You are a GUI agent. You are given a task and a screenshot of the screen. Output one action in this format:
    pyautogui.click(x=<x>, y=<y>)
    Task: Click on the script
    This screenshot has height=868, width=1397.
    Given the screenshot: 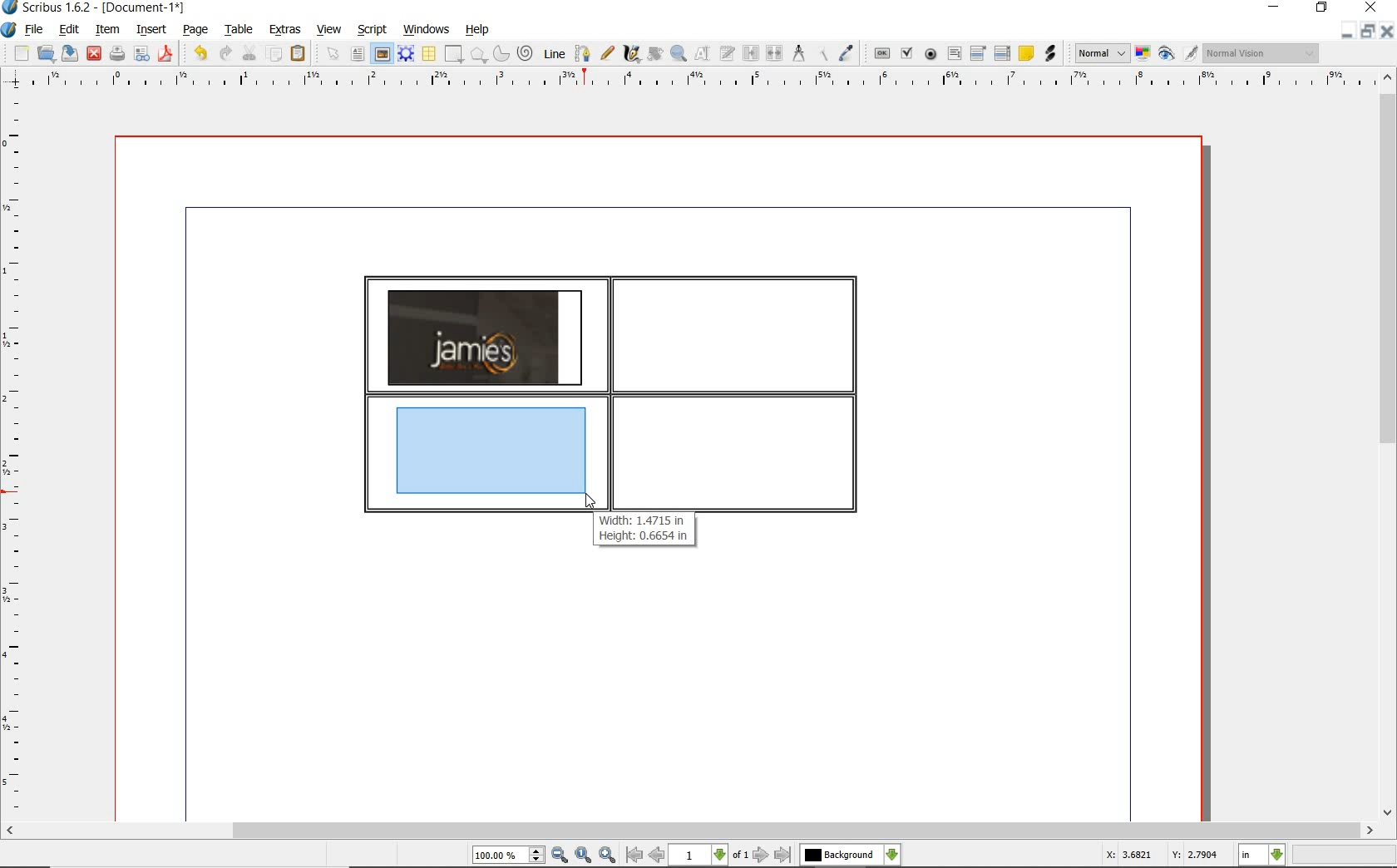 What is the action you would take?
    pyautogui.click(x=373, y=30)
    